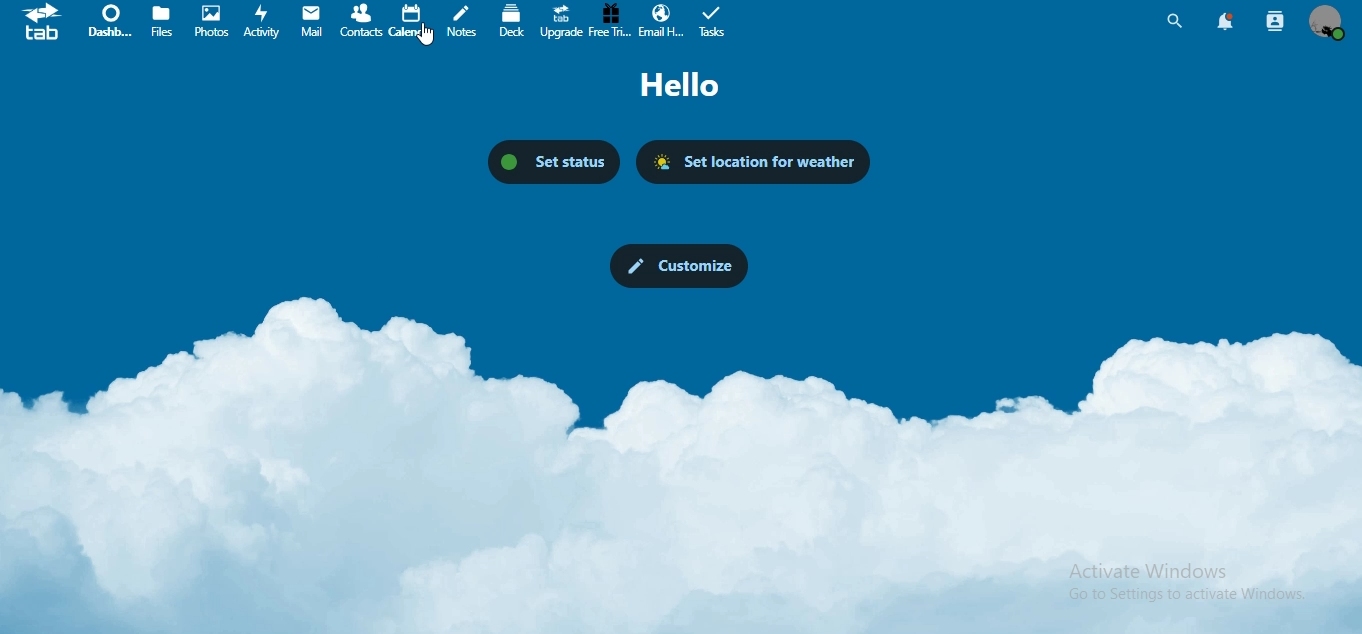  What do you see at coordinates (610, 20) in the screenshot?
I see `free trial` at bounding box center [610, 20].